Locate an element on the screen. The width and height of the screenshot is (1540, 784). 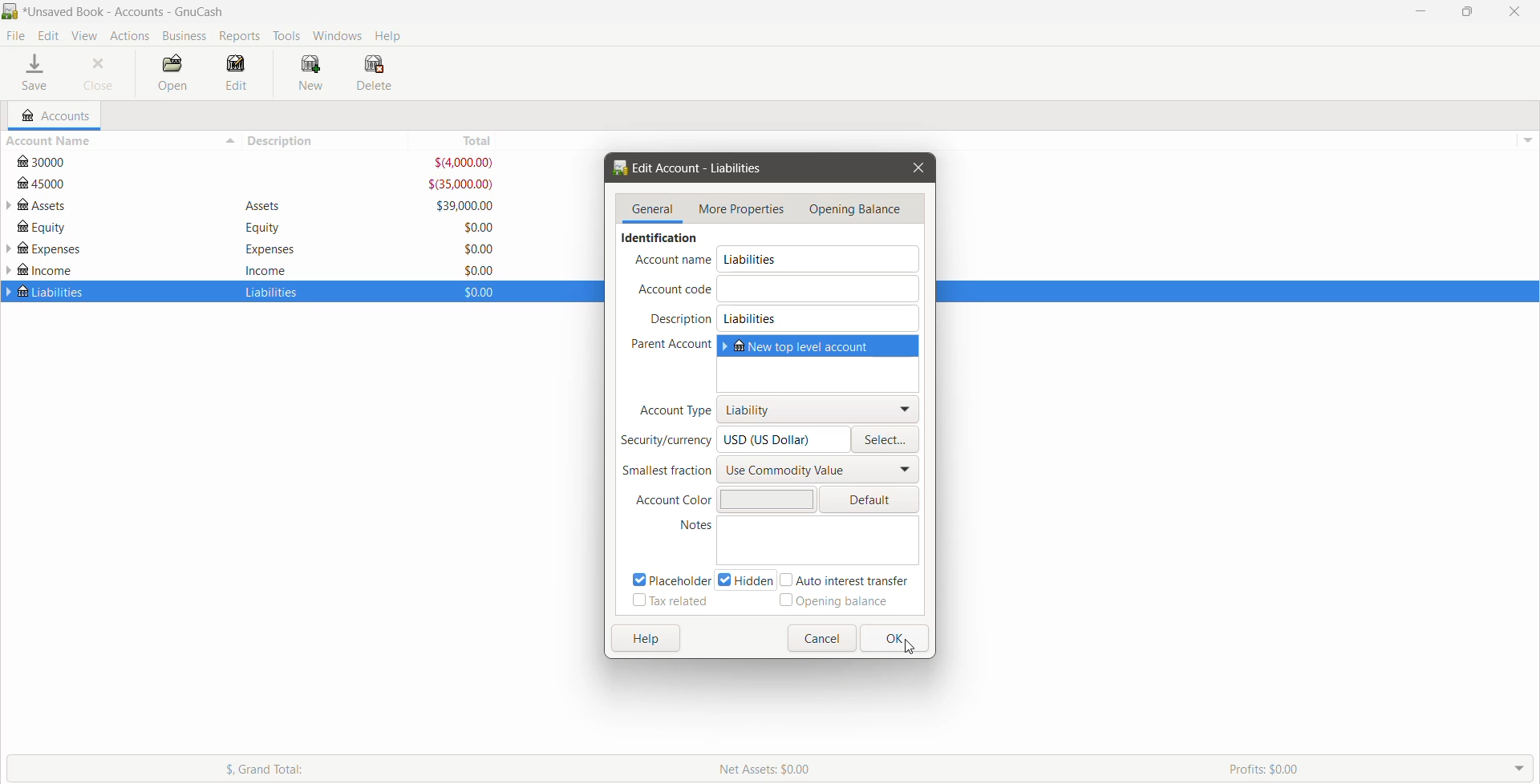
Edit Account - Liabilities is located at coordinates (694, 168).